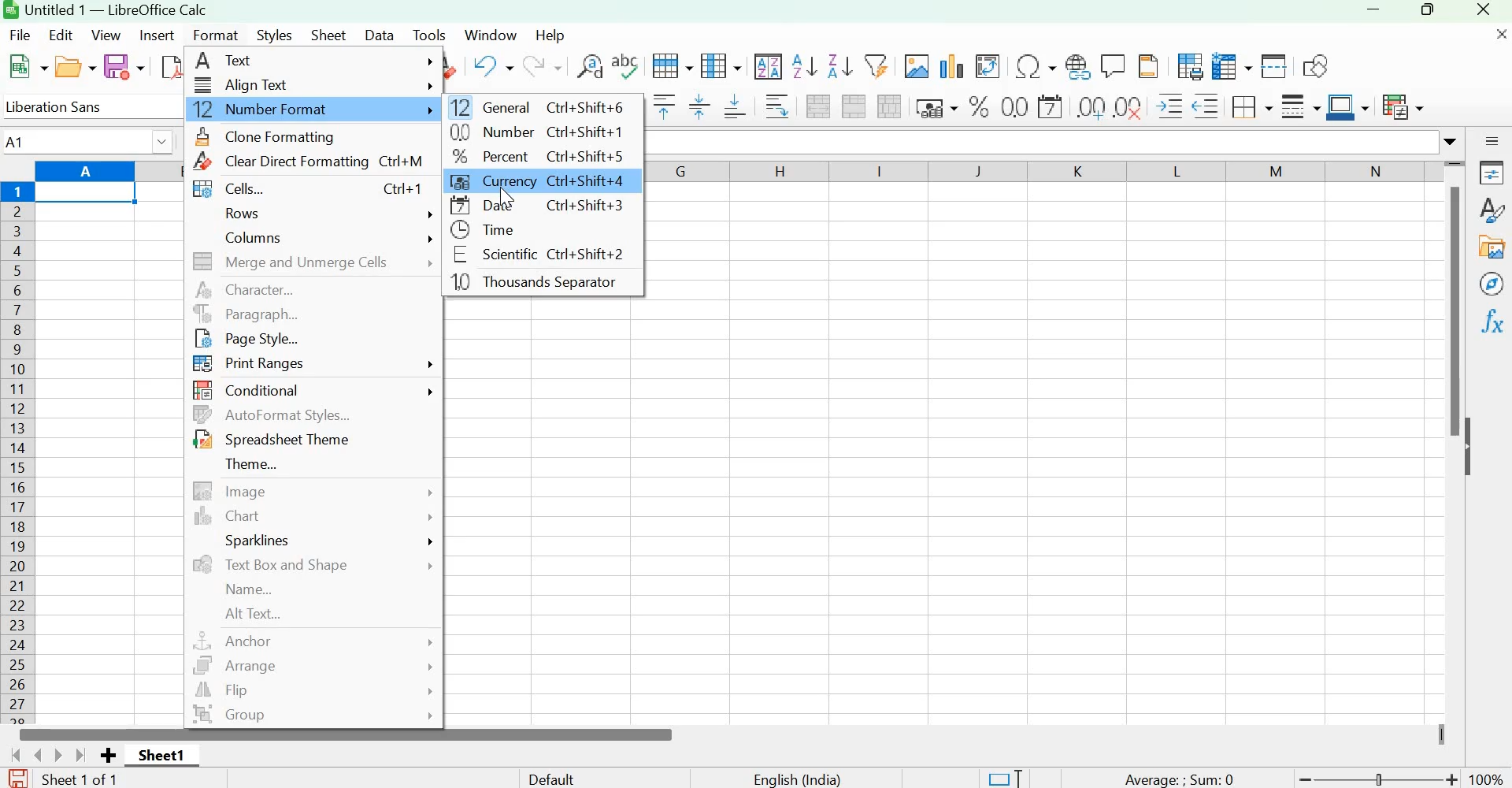  I want to click on Sheet1, so click(161, 754).